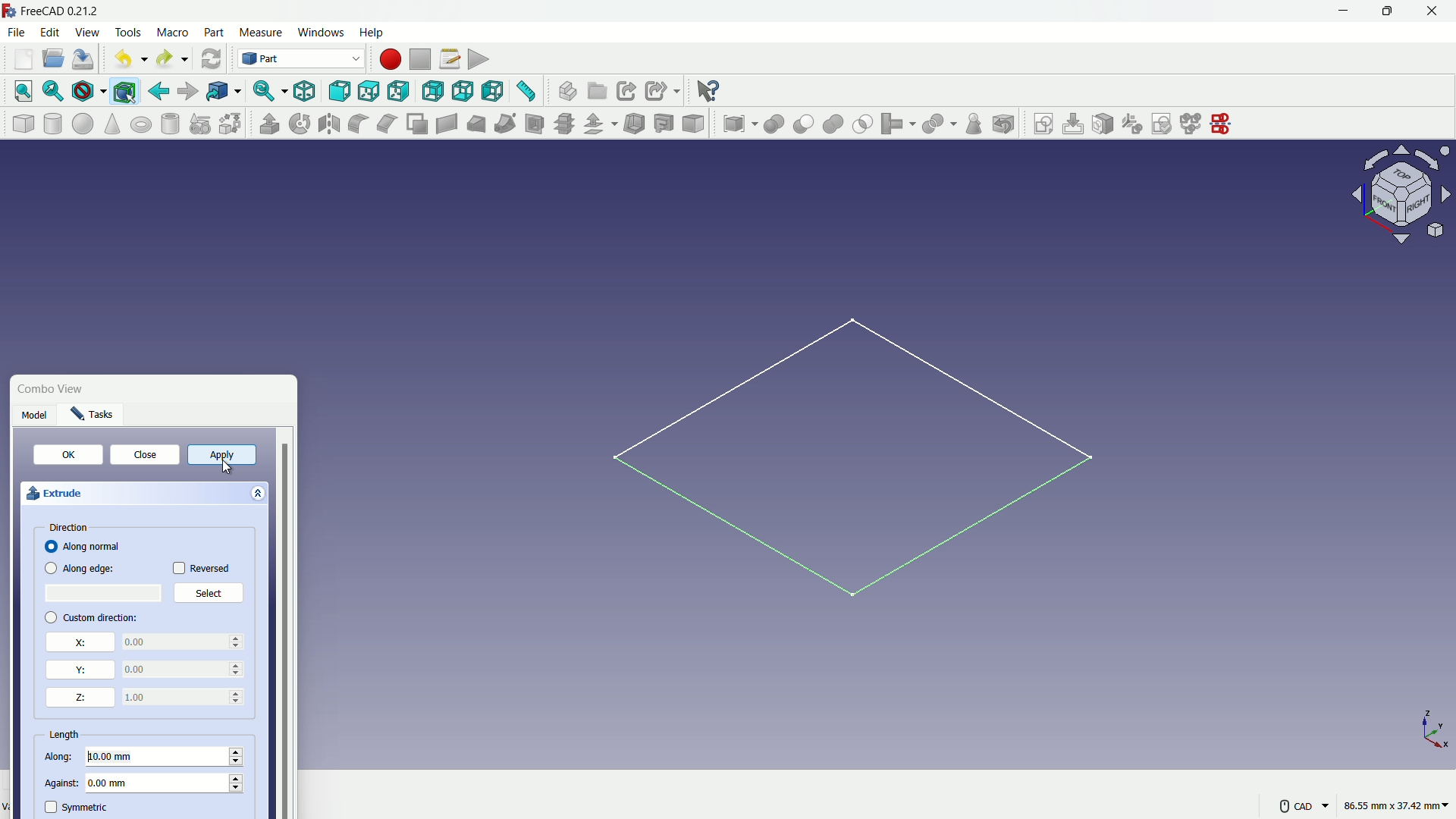 This screenshot has height=819, width=1456. What do you see at coordinates (54, 58) in the screenshot?
I see `open file` at bounding box center [54, 58].